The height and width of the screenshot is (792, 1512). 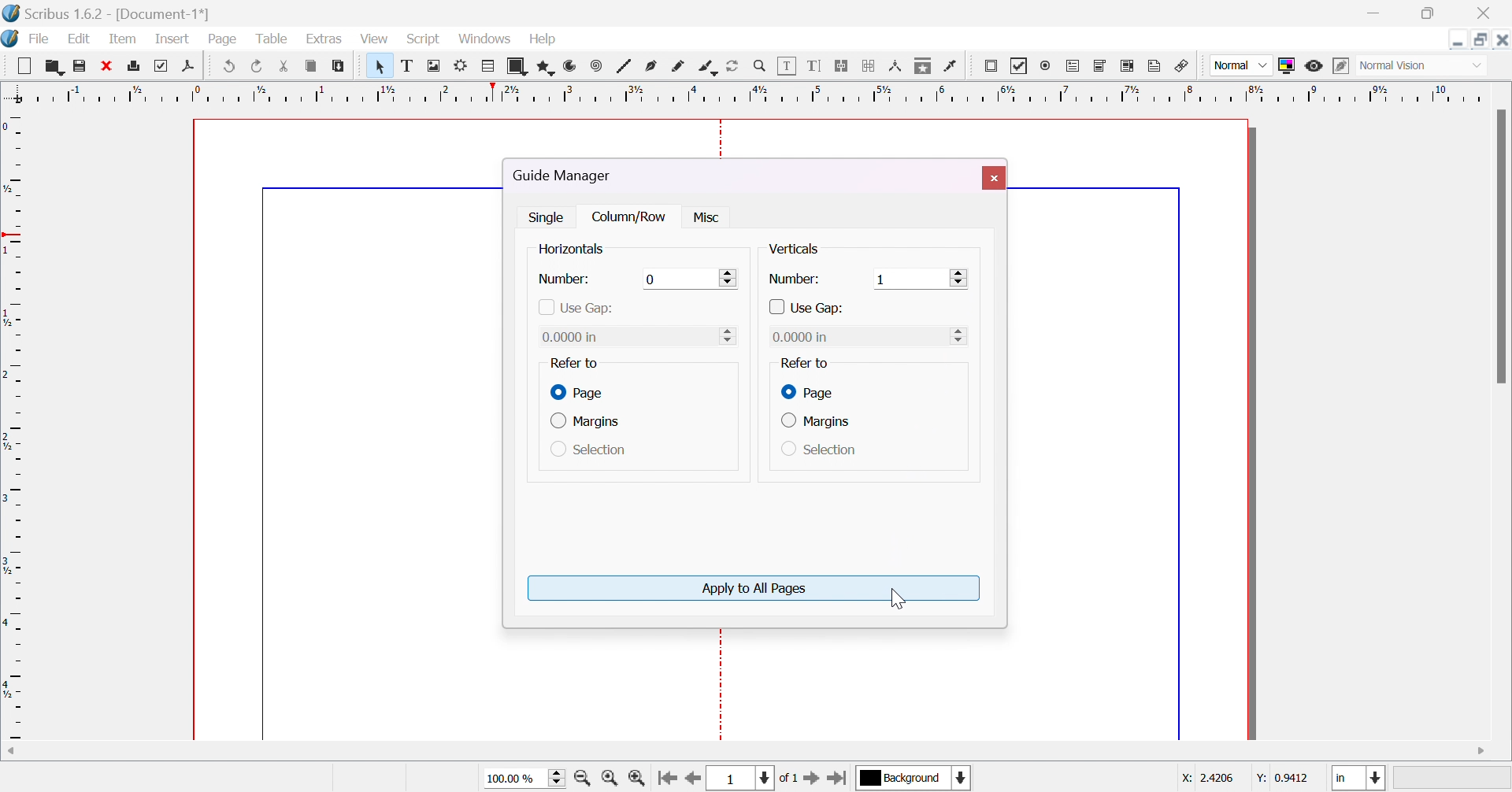 I want to click on selection, so click(x=820, y=450).